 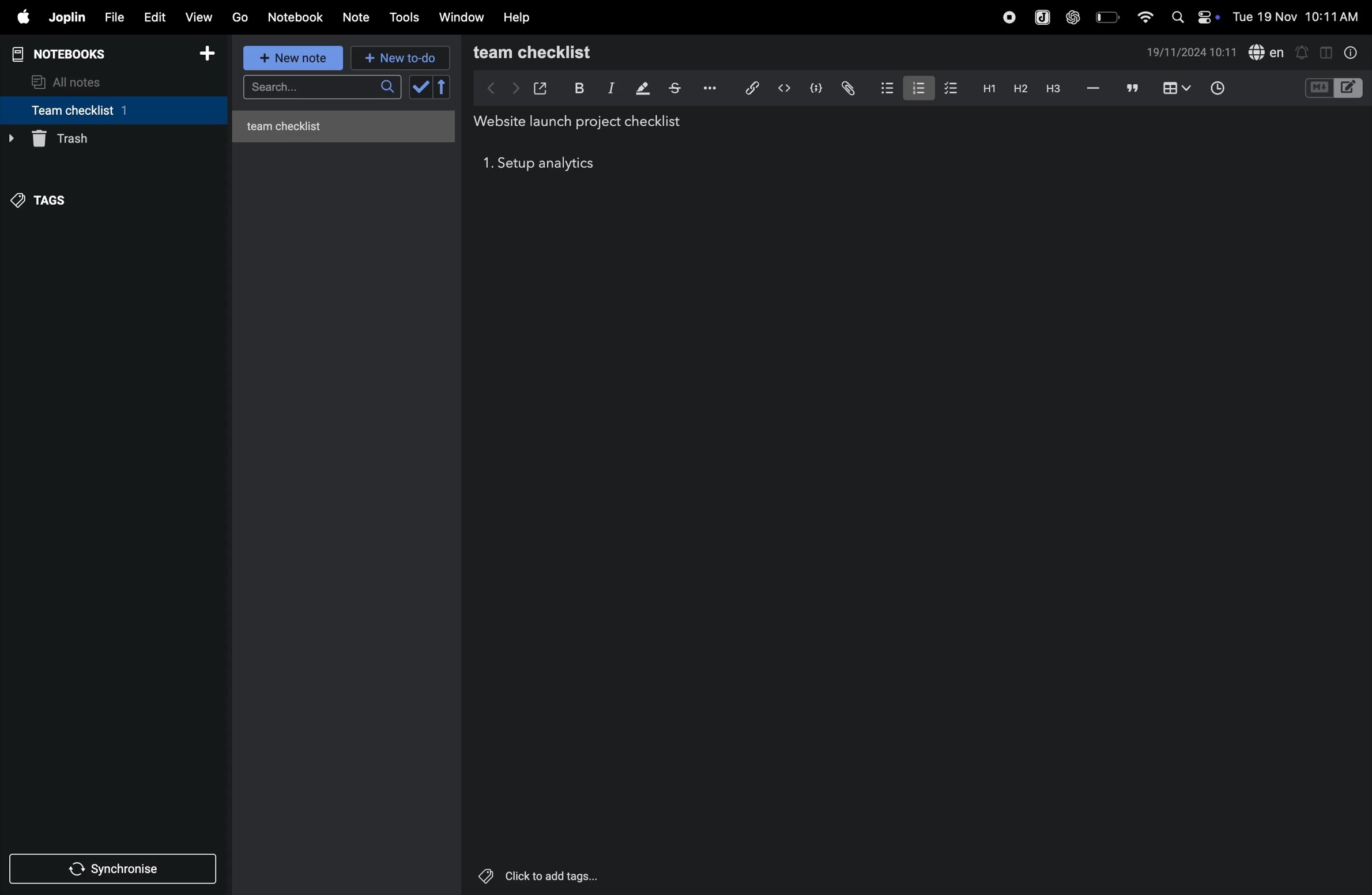 What do you see at coordinates (66, 52) in the screenshot?
I see `notebooks` at bounding box center [66, 52].